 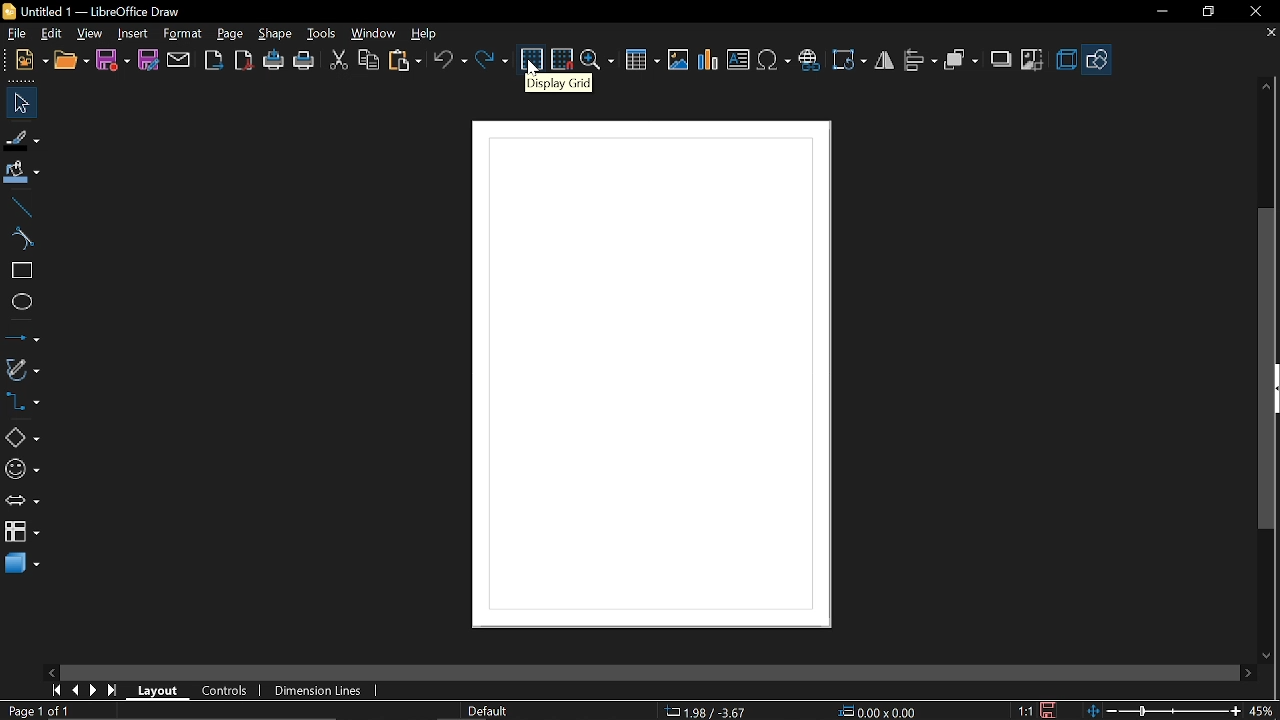 What do you see at coordinates (22, 502) in the screenshot?
I see `arrows` at bounding box center [22, 502].